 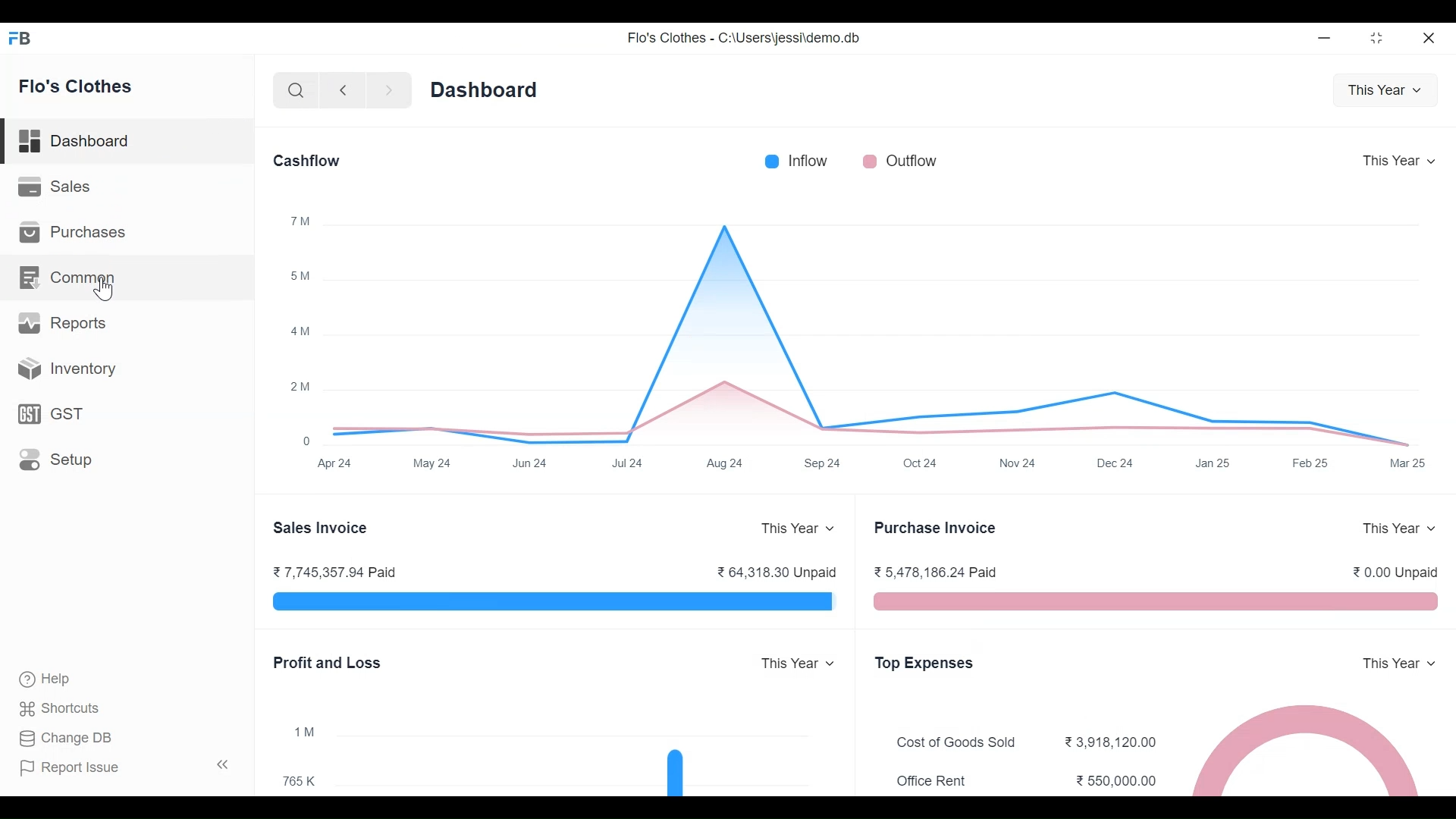 I want to click on 765K, so click(x=300, y=780).